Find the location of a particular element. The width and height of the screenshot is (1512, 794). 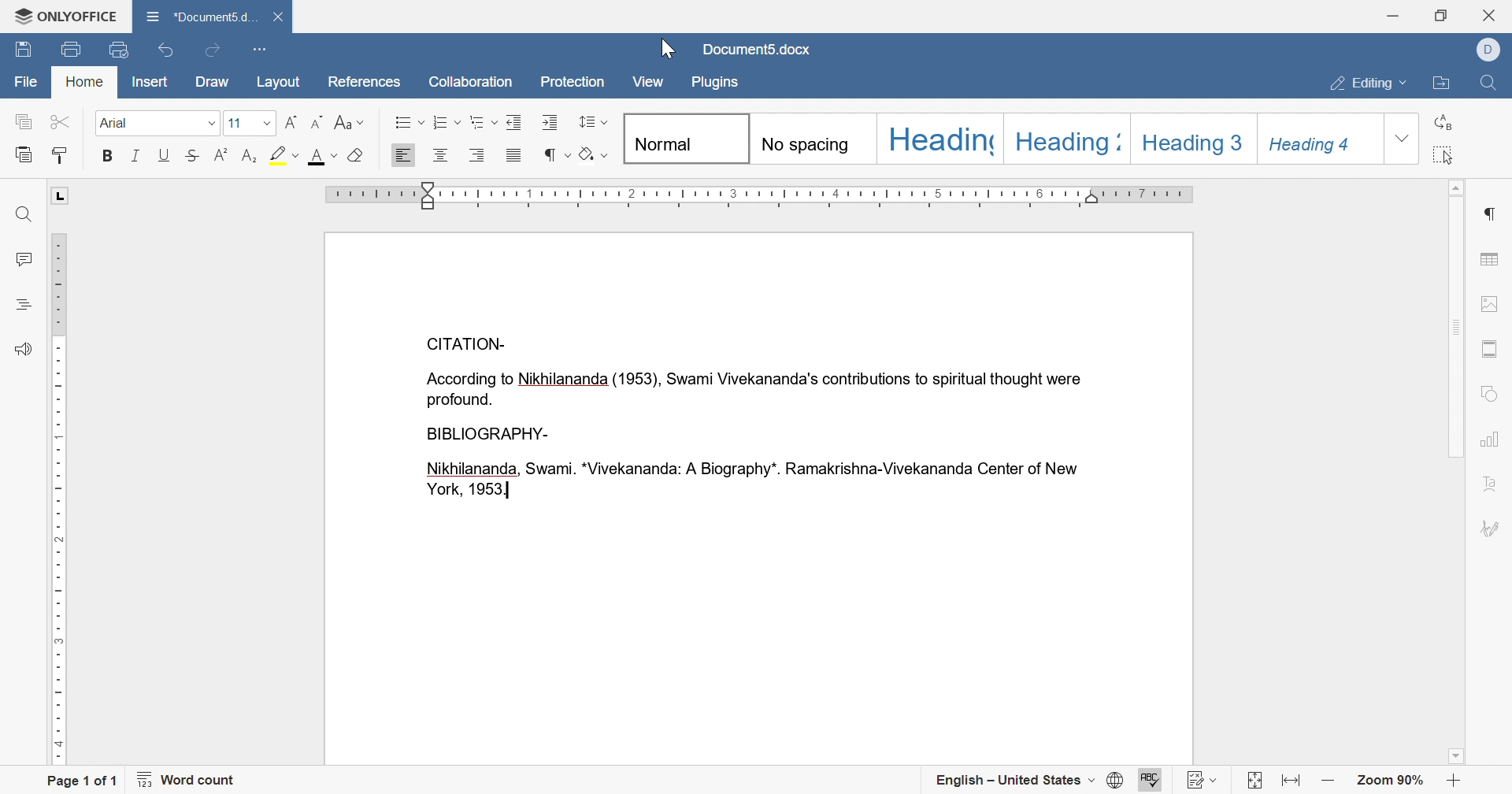

paragraph and line spacing is located at coordinates (593, 121).